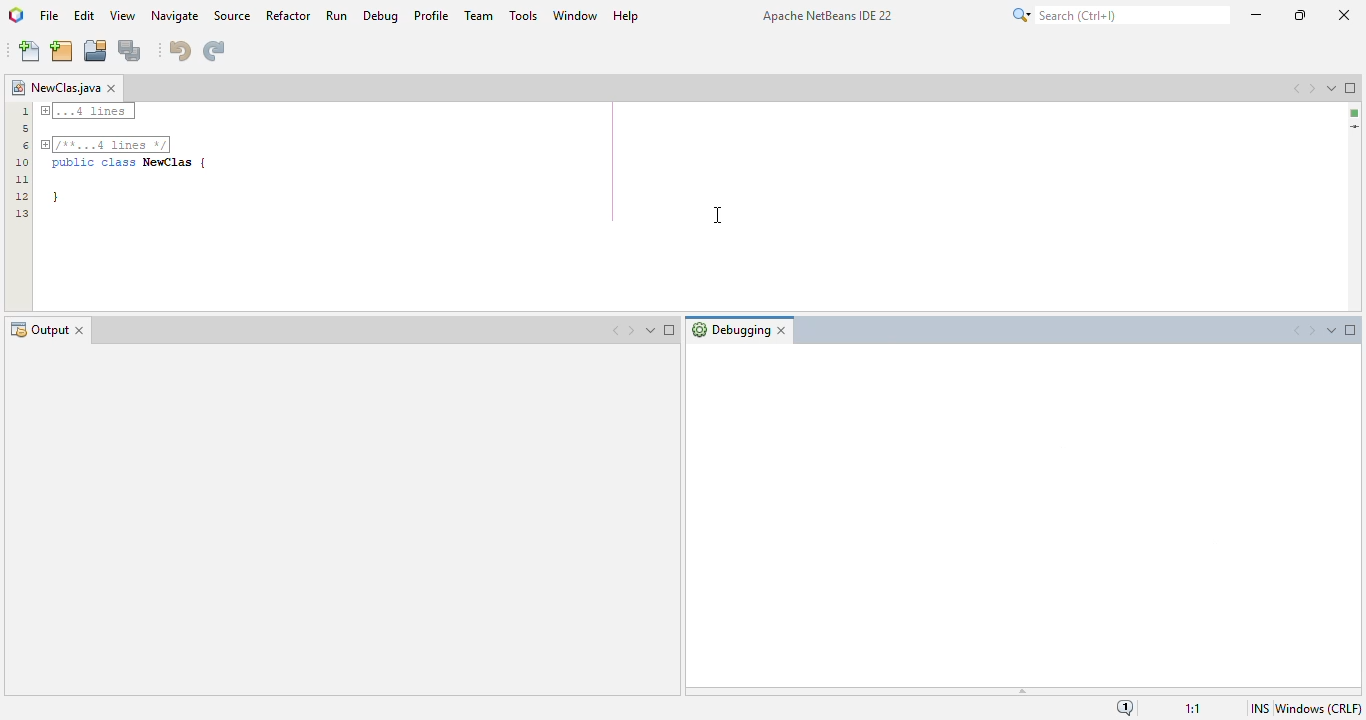 This screenshot has width=1366, height=720. Describe the element at coordinates (719, 215) in the screenshot. I see `cursor` at that location.